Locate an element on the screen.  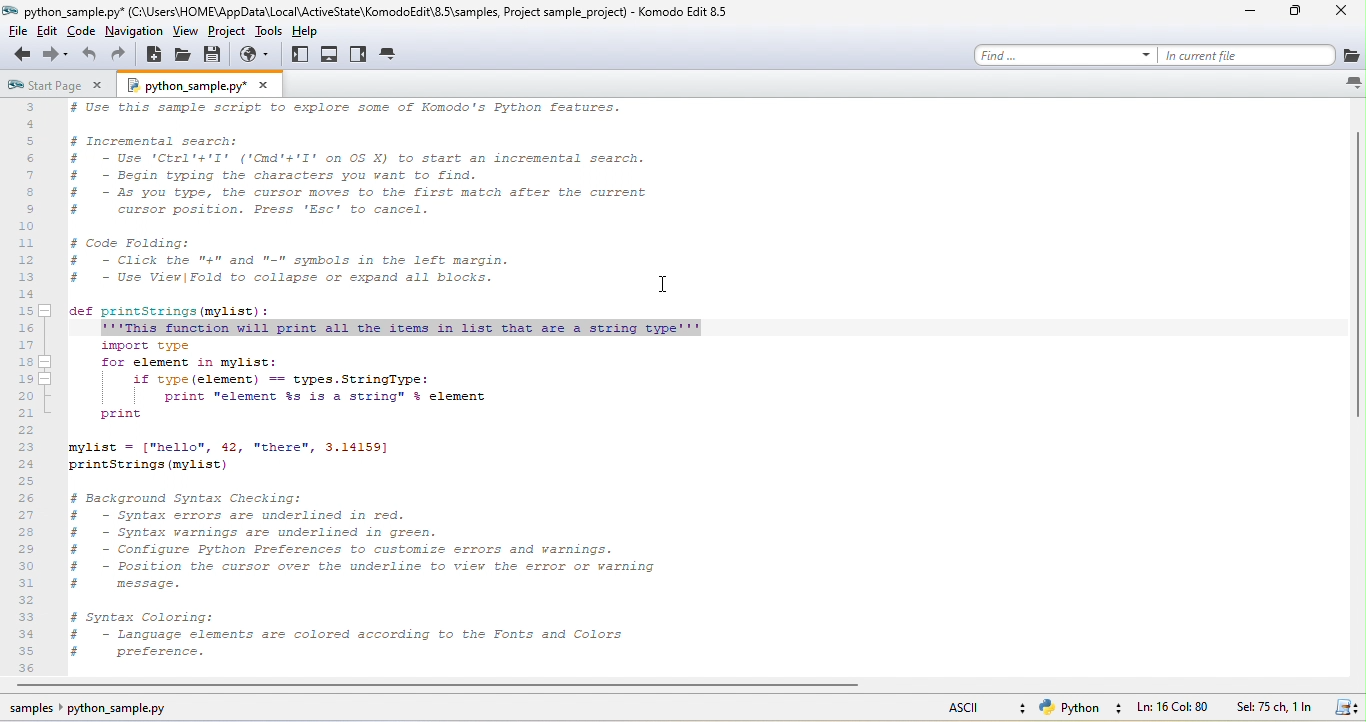
code is located at coordinates (83, 34).